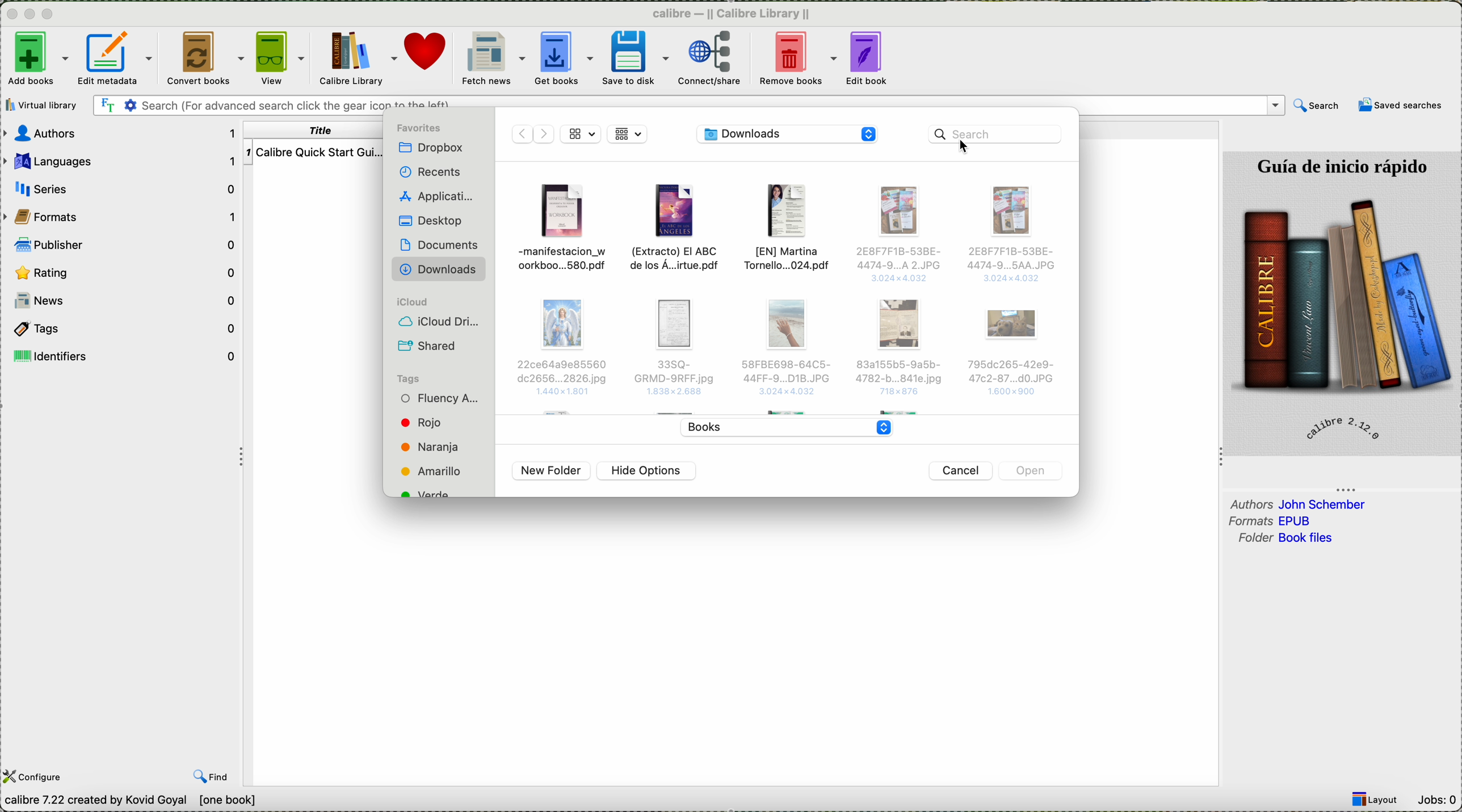 This screenshot has width=1462, height=812. What do you see at coordinates (434, 148) in the screenshot?
I see `Dropbox` at bounding box center [434, 148].